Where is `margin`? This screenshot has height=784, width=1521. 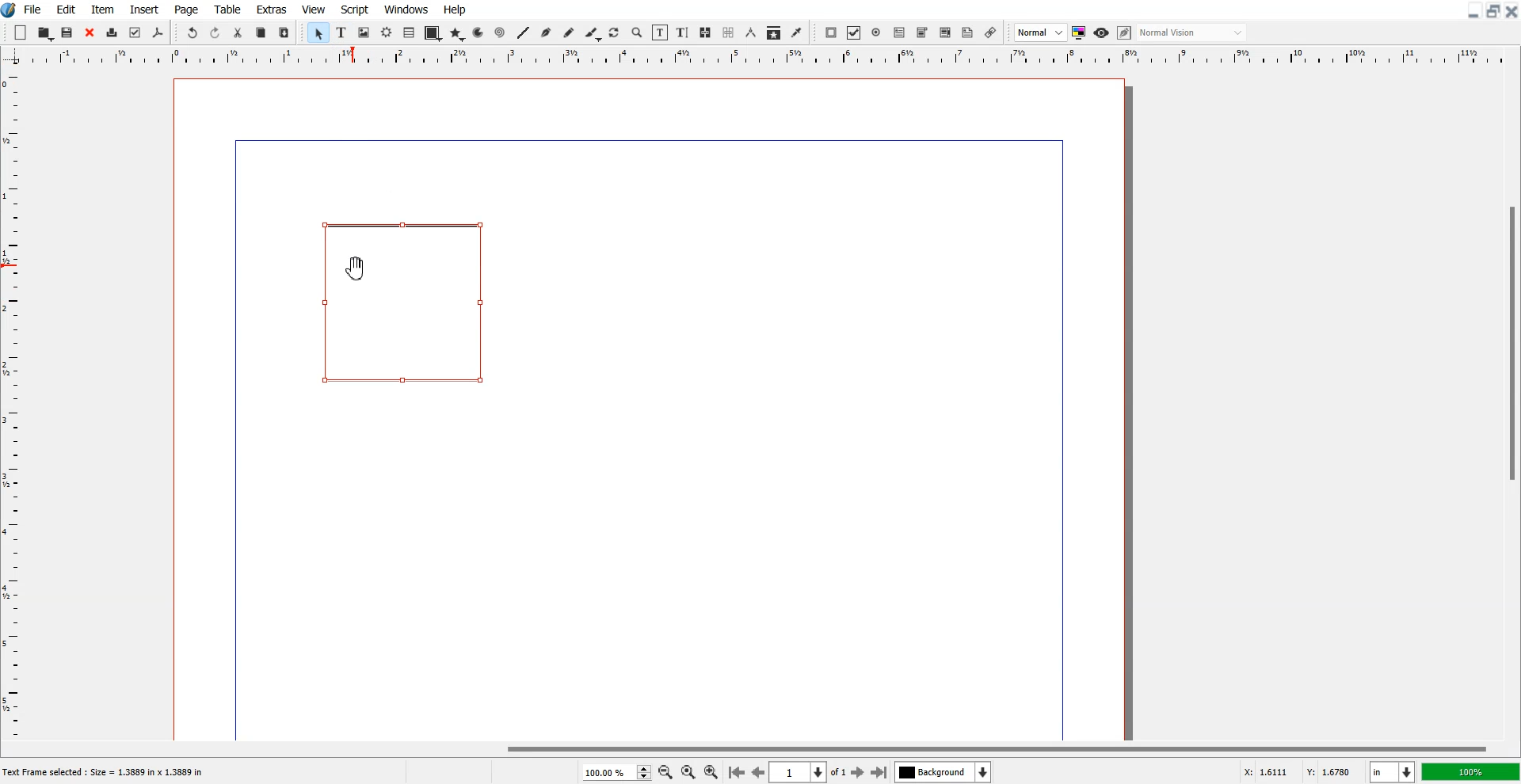 margin is located at coordinates (641, 138).